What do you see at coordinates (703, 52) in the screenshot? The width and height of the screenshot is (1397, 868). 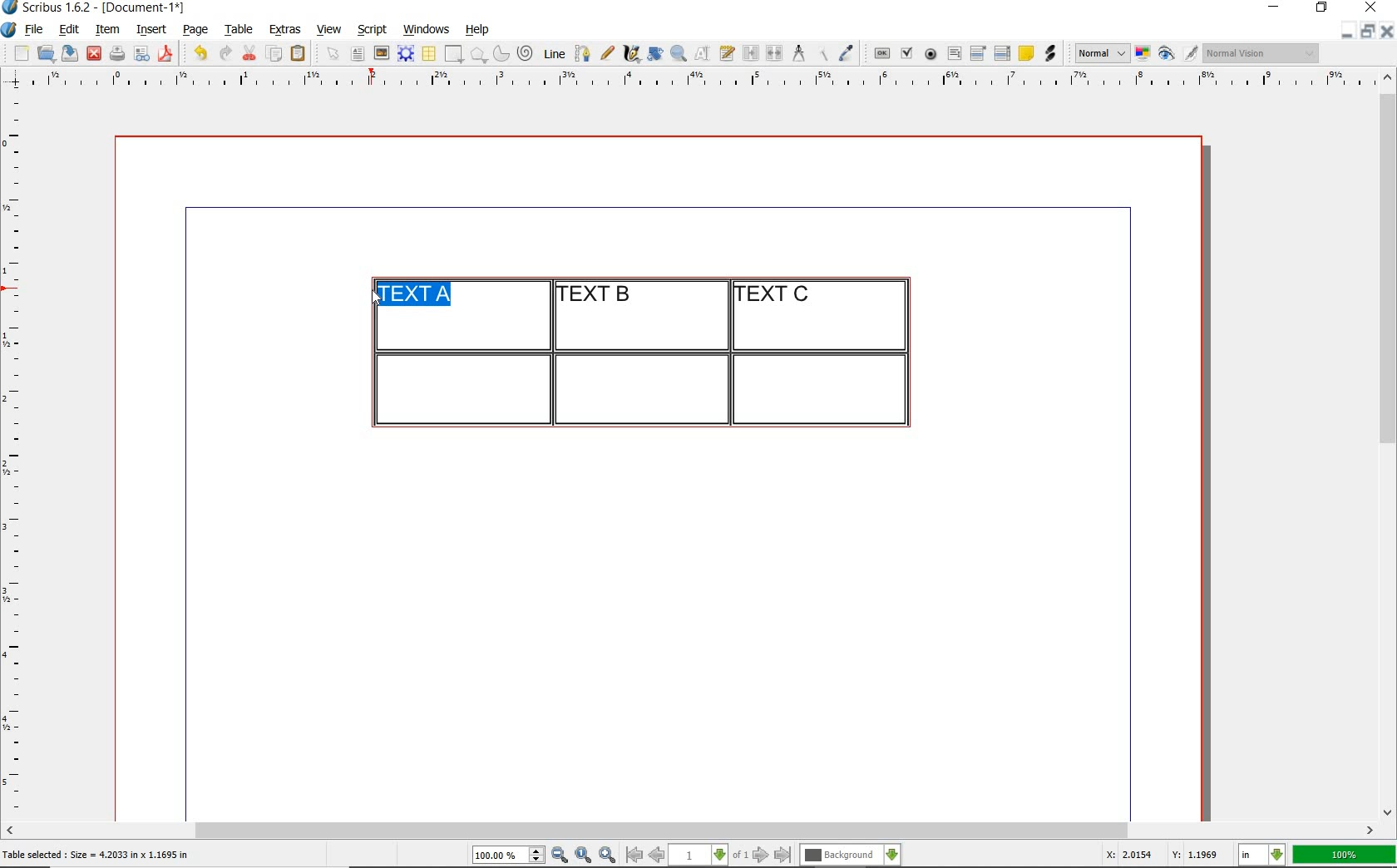 I see `edit contents of frame` at bounding box center [703, 52].